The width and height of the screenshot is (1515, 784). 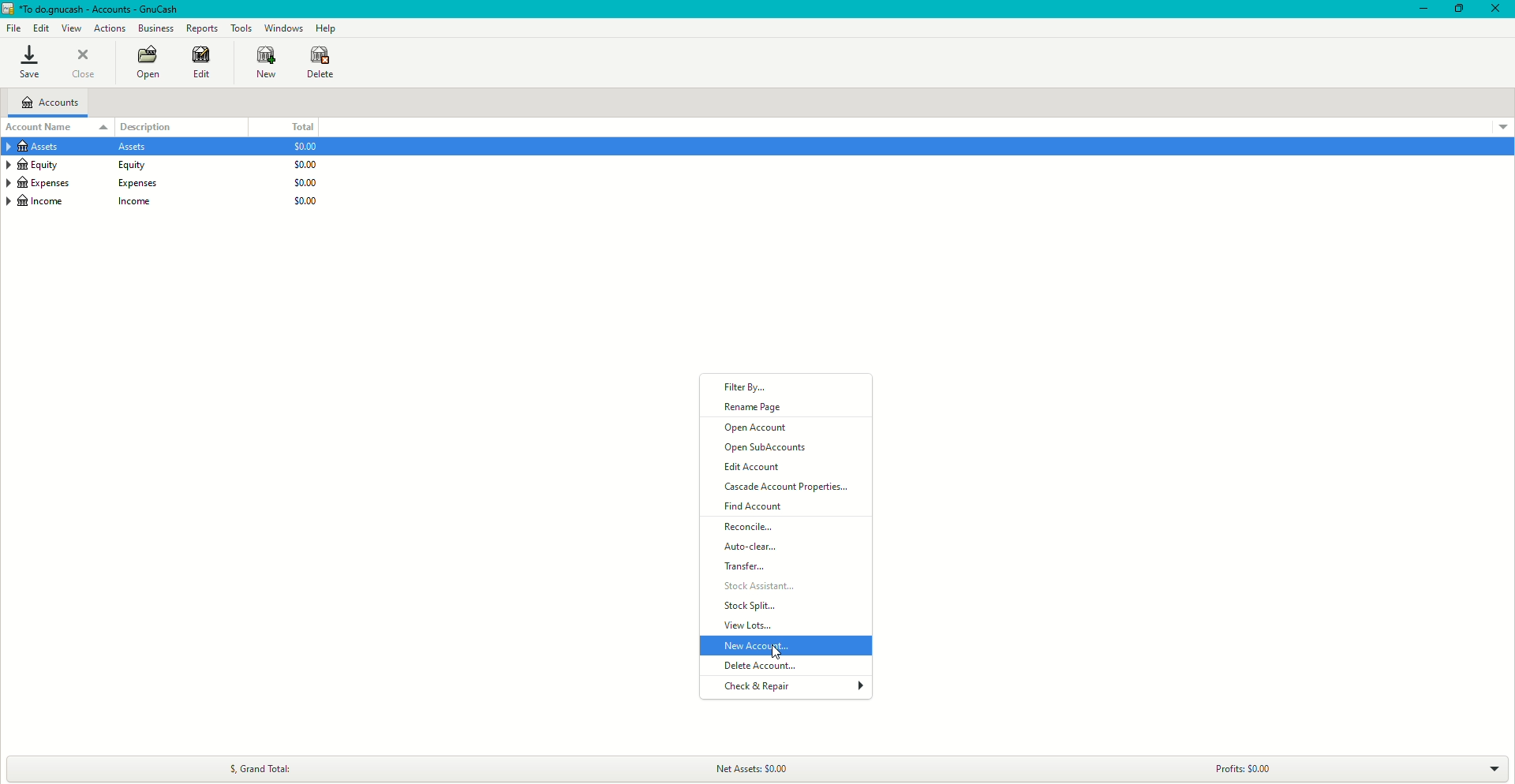 What do you see at coordinates (757, 645) in the screenshot?
I see `New Account` at bounding box center [757, 645].